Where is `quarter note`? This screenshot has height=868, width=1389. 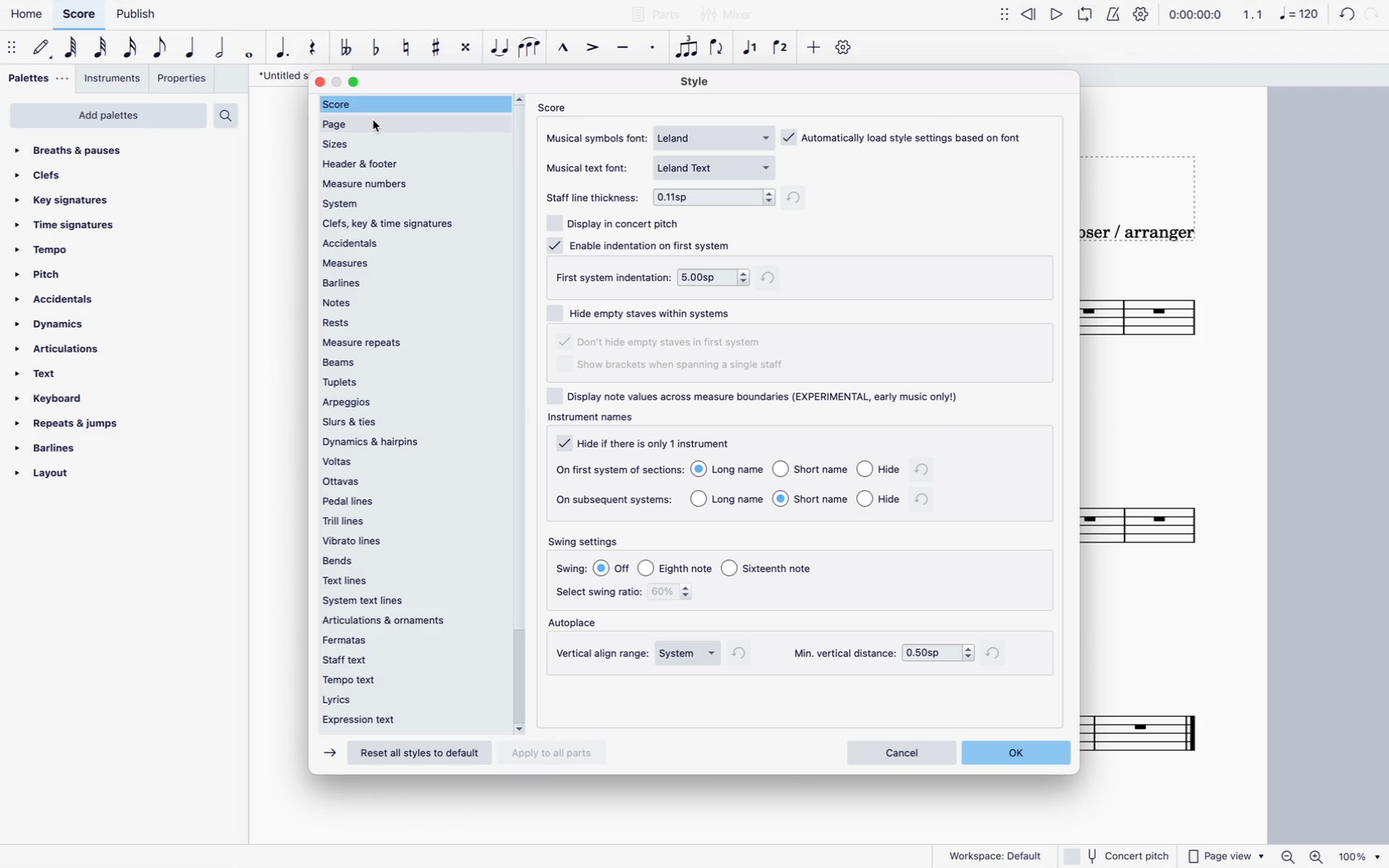
quarter note is located at coordinates (189, 50).